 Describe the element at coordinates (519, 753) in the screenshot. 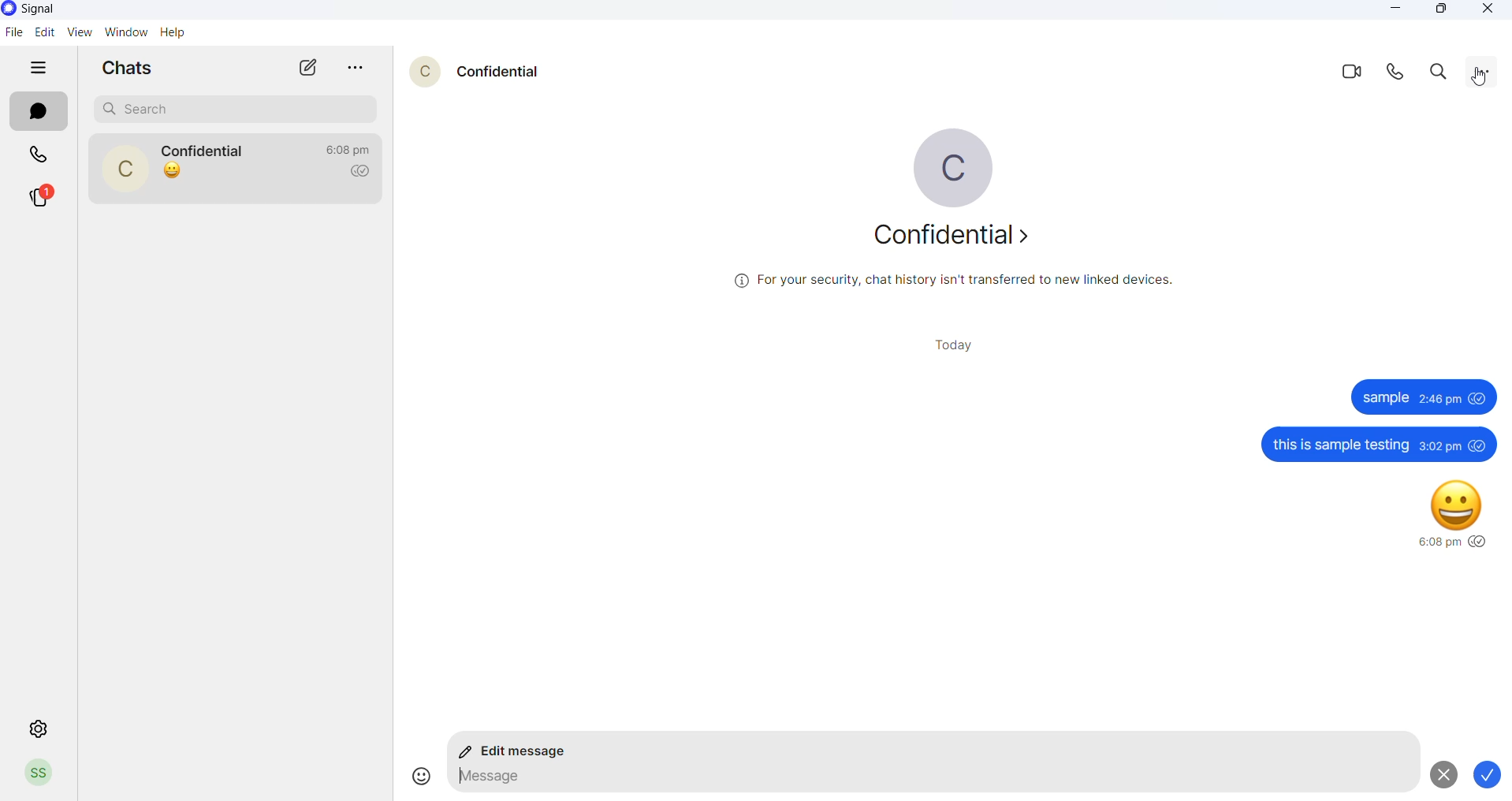

I see `edit message` at that location.